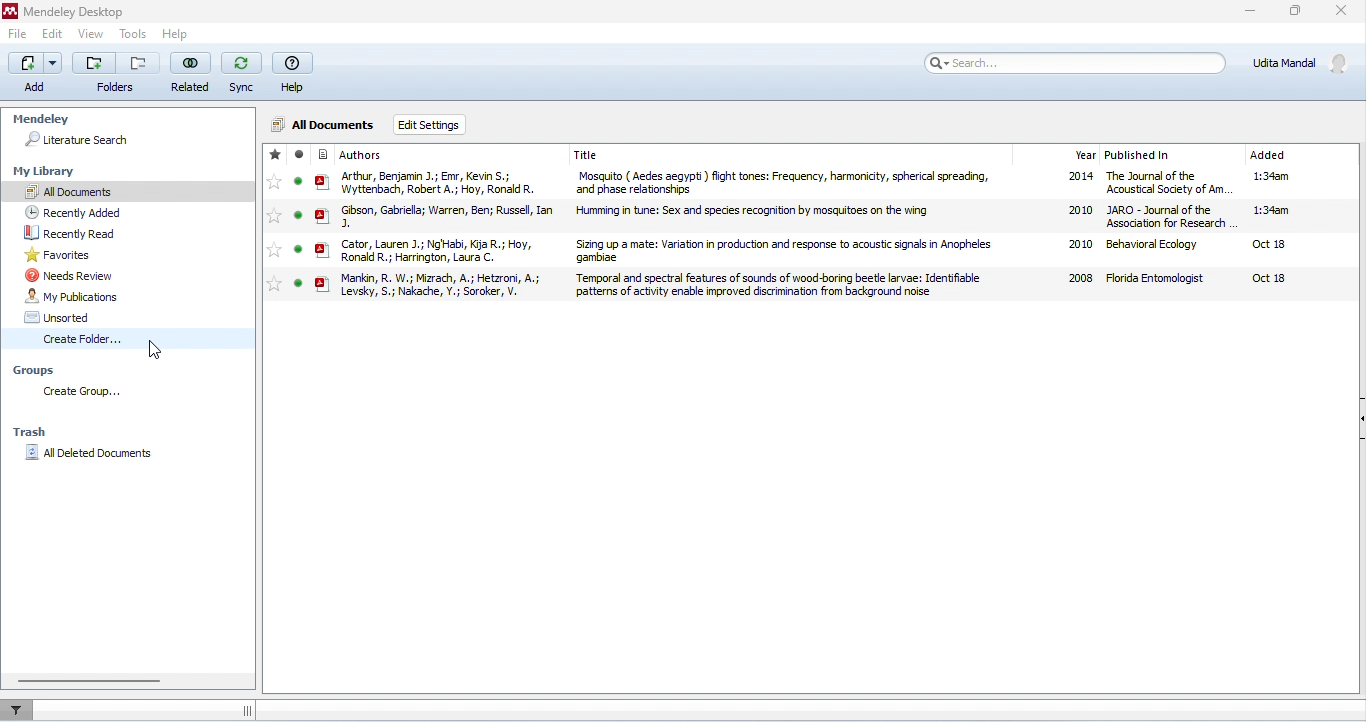  Describe the element at coordinates (70, 11) in the screenshot. I see `Mendeley desktop` at that location.